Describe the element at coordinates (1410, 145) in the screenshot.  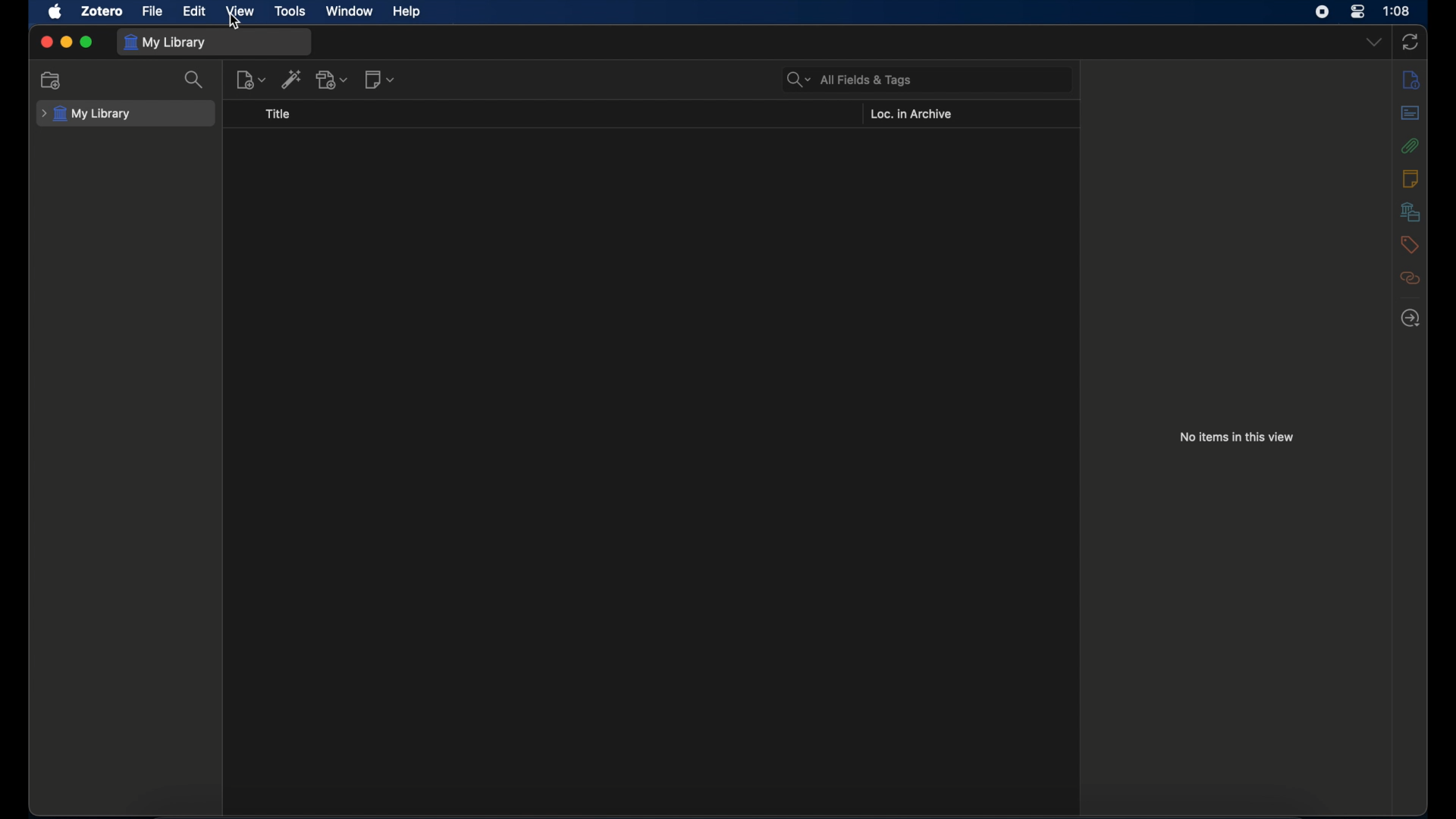
I see `attachments` at that location.